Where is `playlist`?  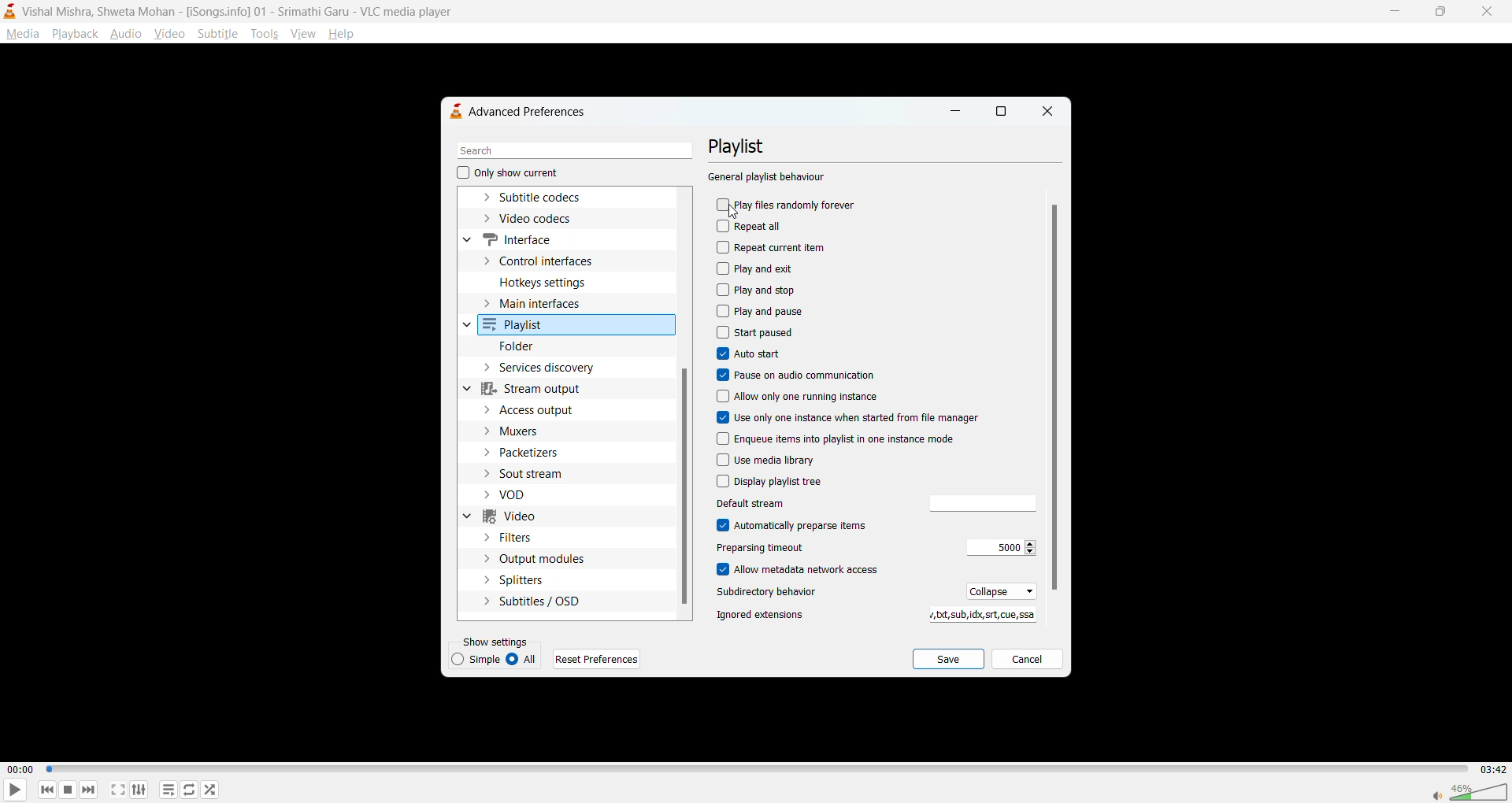
playlist is located at coordinates (520, 326).